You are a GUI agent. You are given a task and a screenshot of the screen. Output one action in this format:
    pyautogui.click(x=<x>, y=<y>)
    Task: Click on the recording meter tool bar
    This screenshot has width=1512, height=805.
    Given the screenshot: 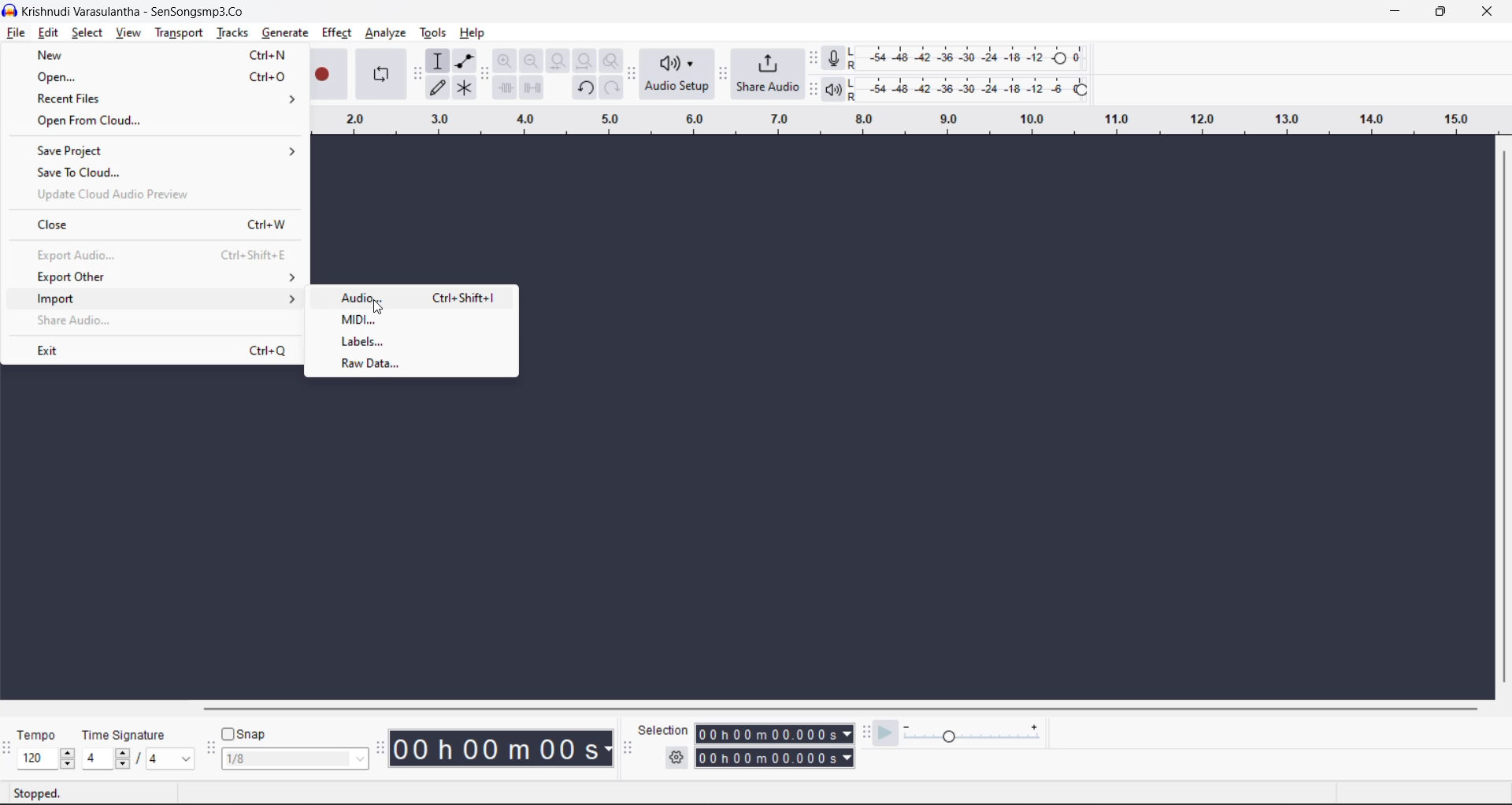 What is the action you would take?
    pyautogui.click(x=814, y=59)
    